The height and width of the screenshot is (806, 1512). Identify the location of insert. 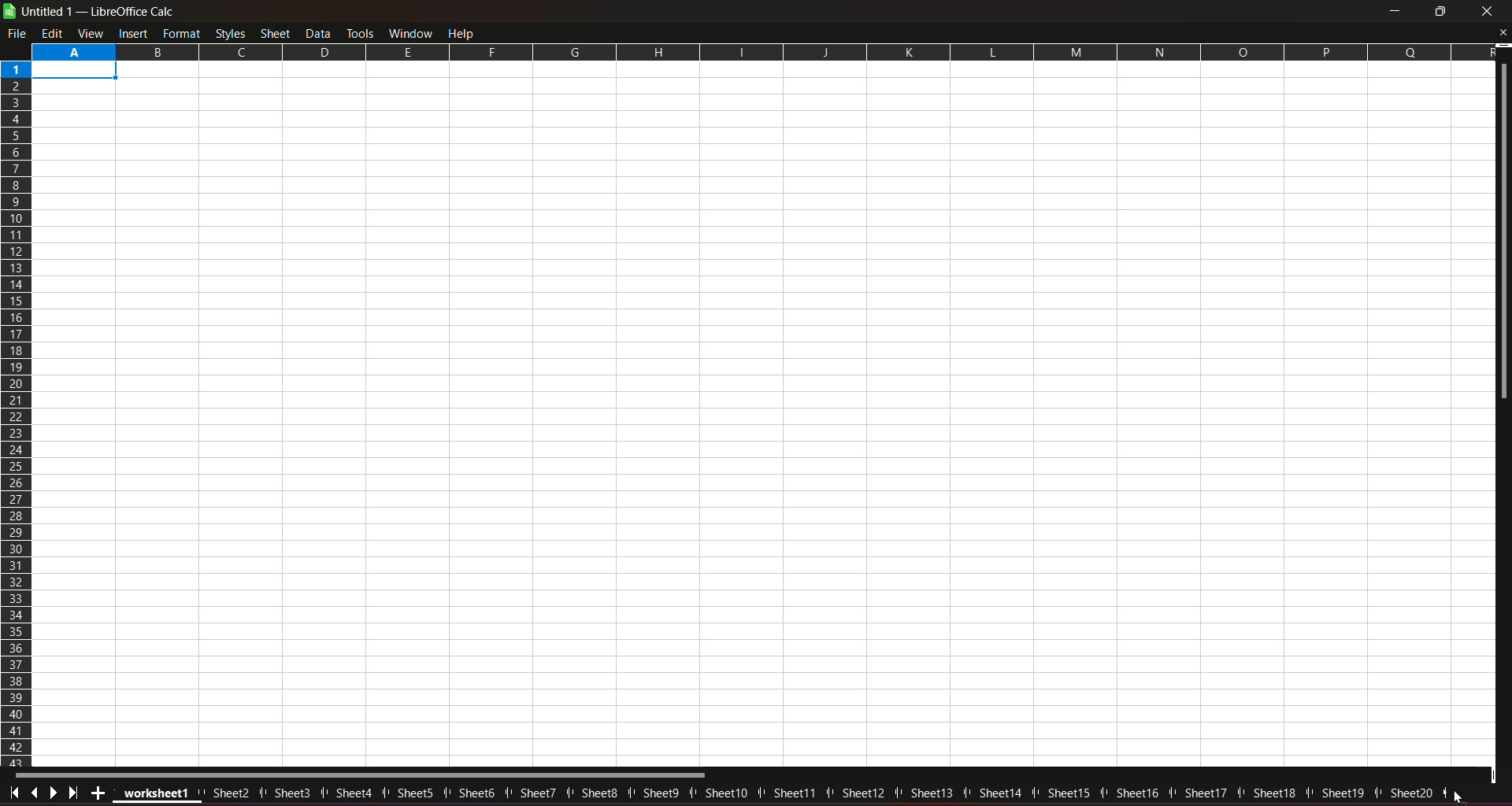
(132, 33).